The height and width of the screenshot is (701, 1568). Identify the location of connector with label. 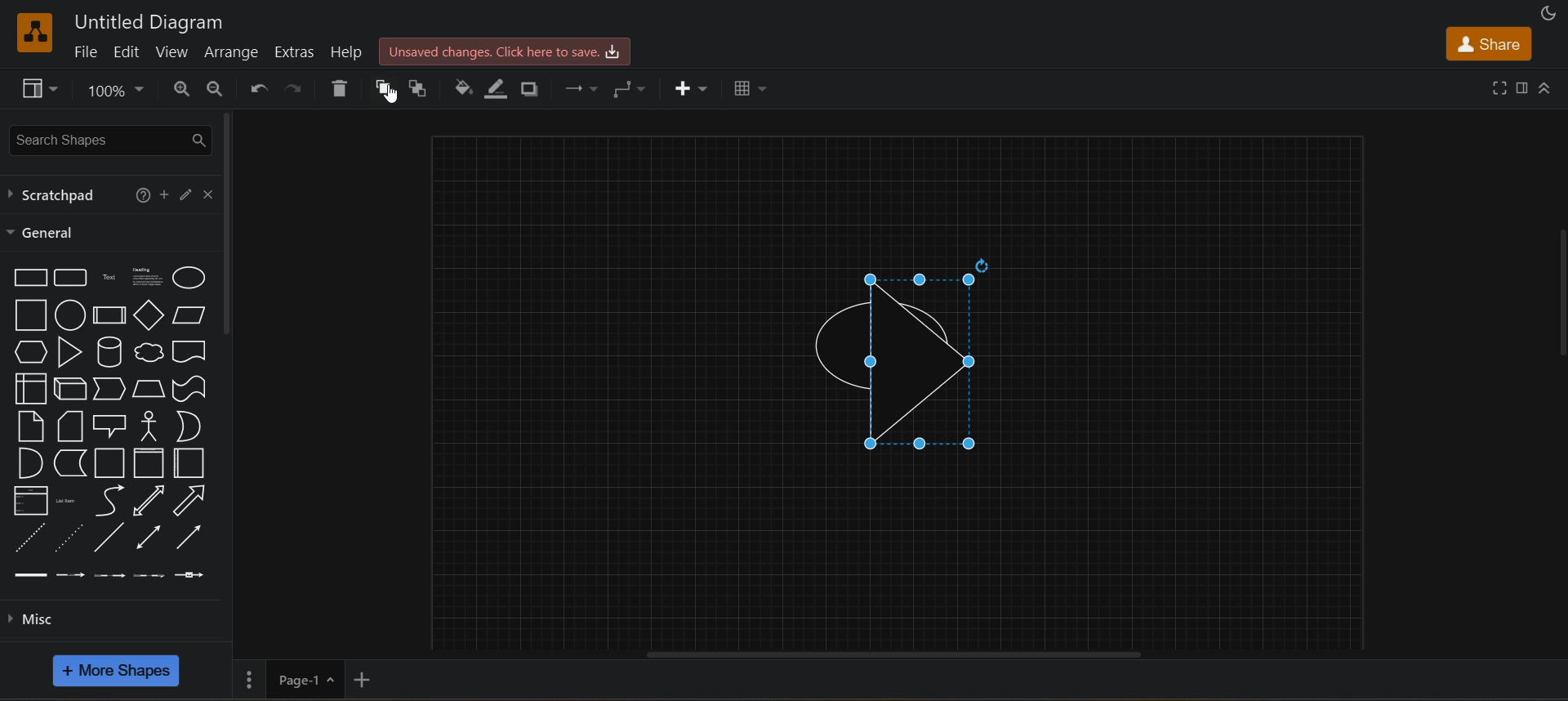
(69, 574).